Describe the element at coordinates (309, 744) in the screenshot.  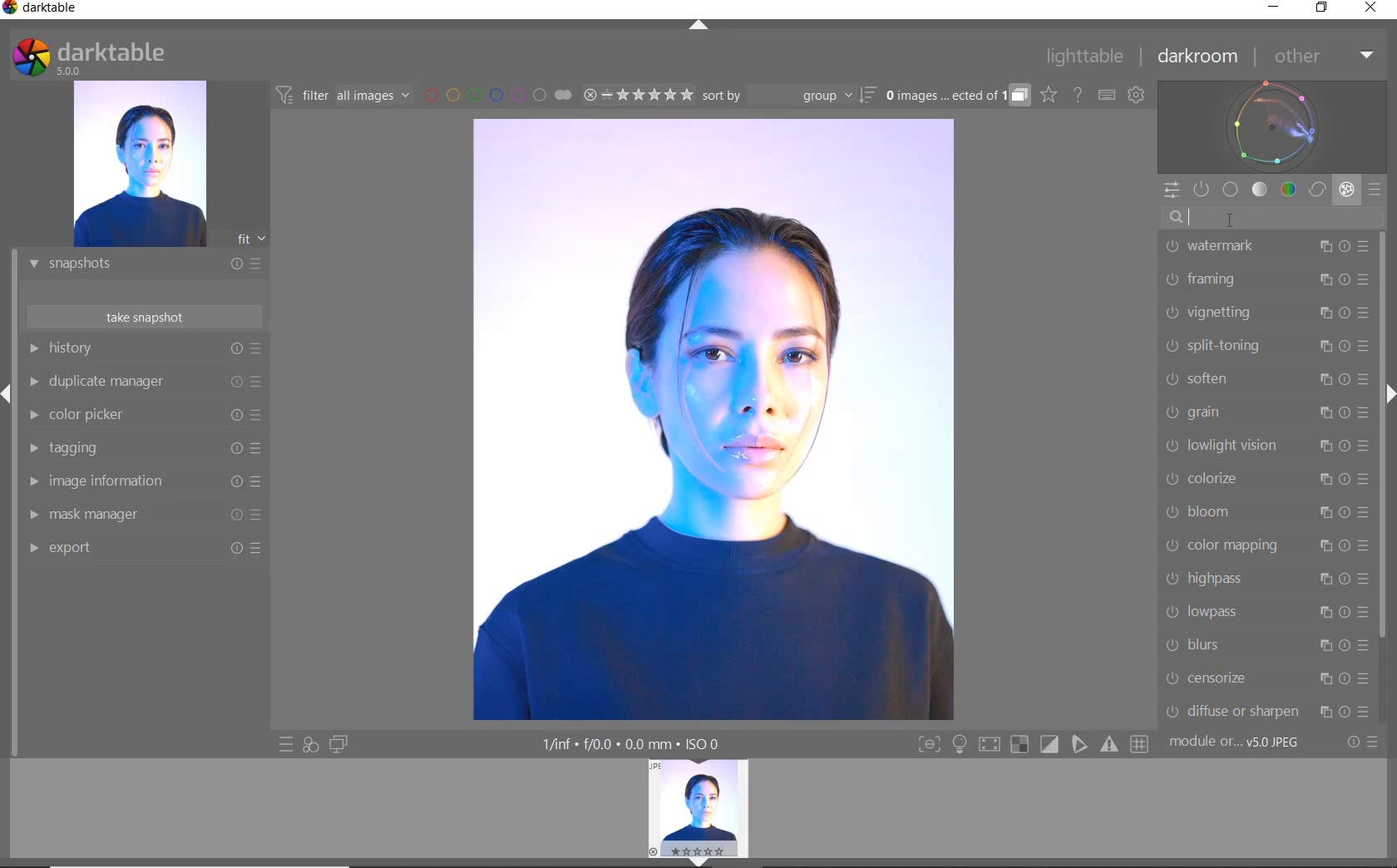
I see `QUICK ACCESS FOR APPLYING ANY OF YOUR STYLES` at that location.